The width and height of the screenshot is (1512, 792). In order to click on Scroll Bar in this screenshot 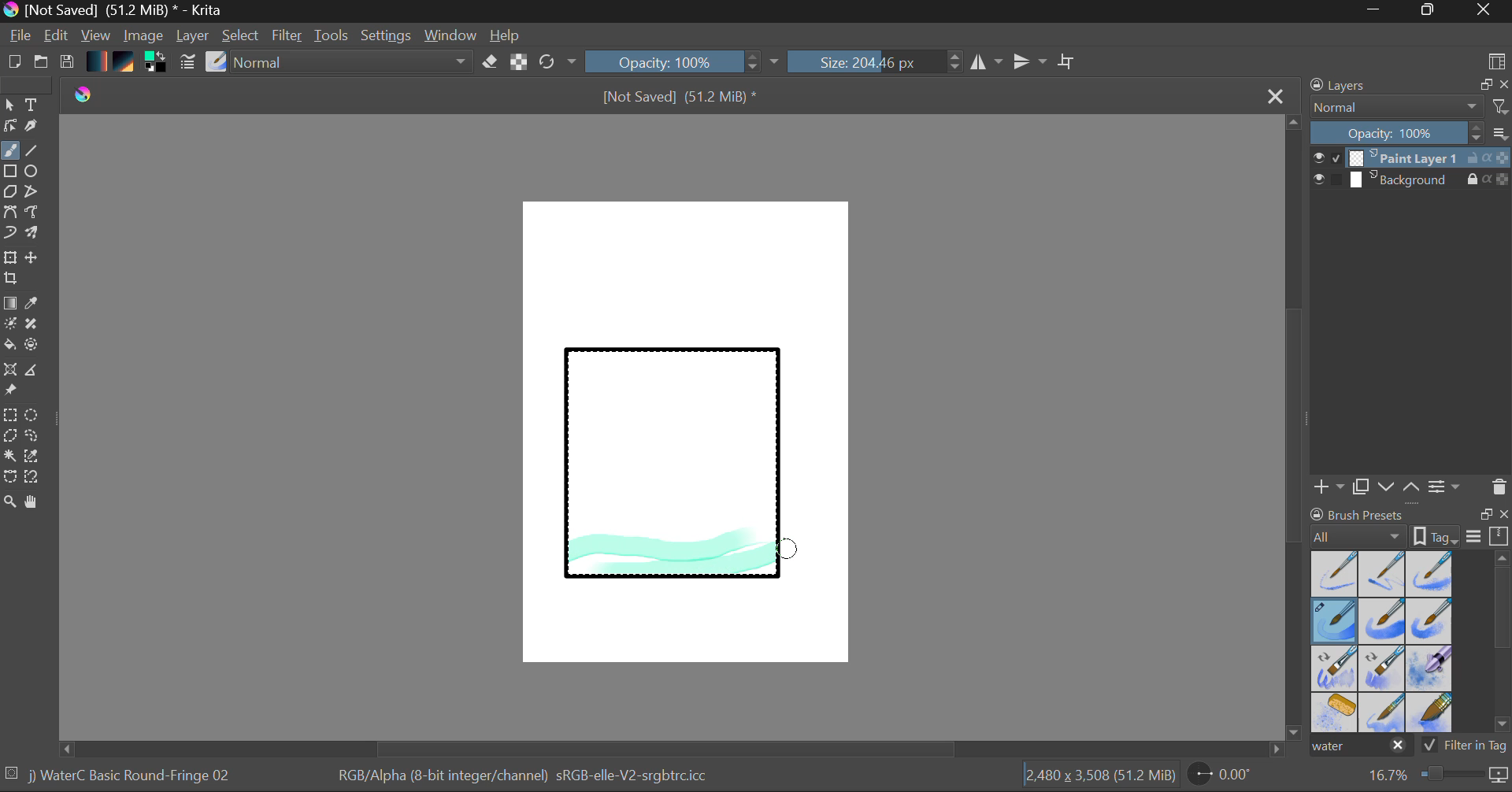, I will do `click(1295, 429)`.